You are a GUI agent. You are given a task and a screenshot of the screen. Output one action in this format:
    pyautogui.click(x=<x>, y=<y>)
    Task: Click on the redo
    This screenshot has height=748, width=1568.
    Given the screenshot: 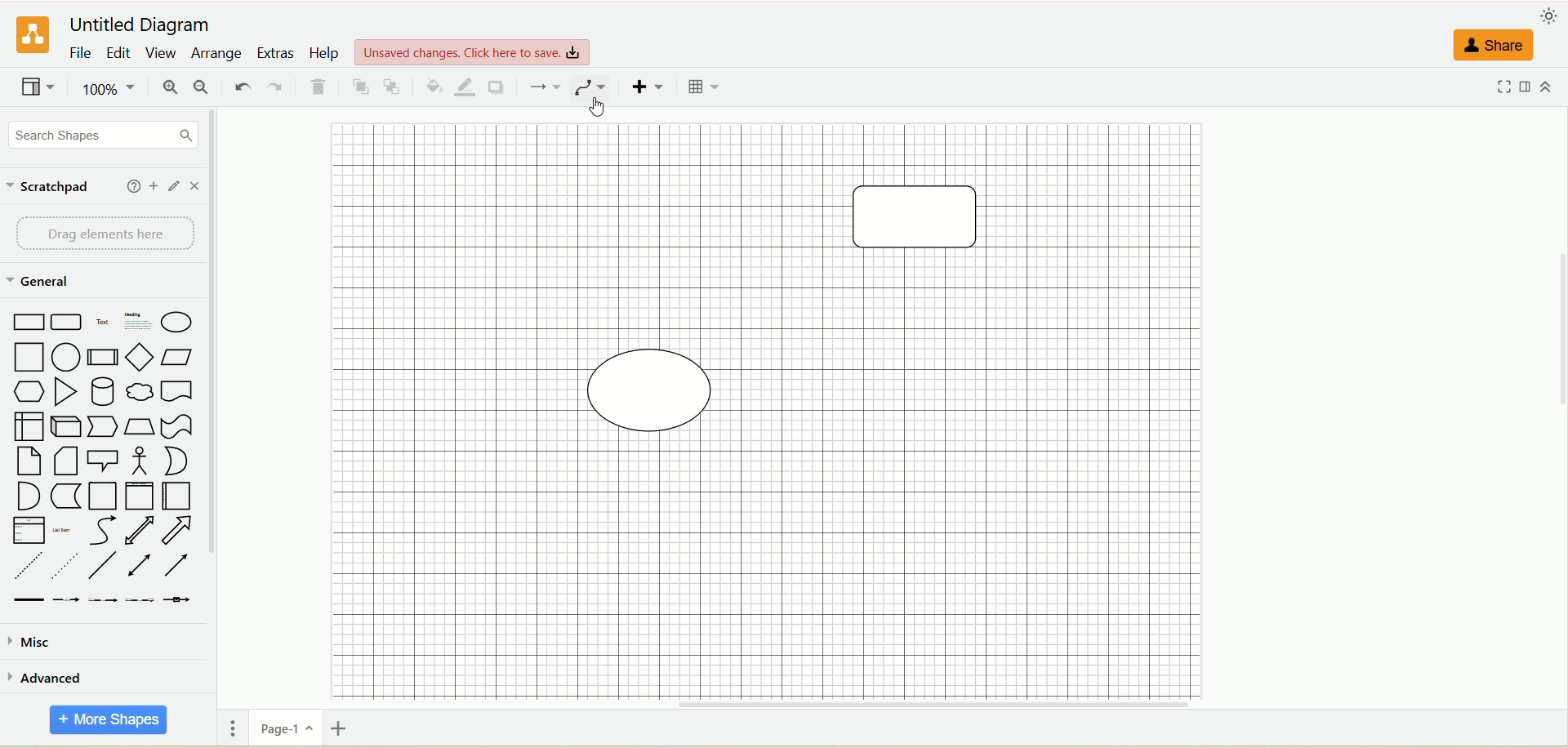 What is the action you would take?
    pyautogui.click(x=275, y=87)
    